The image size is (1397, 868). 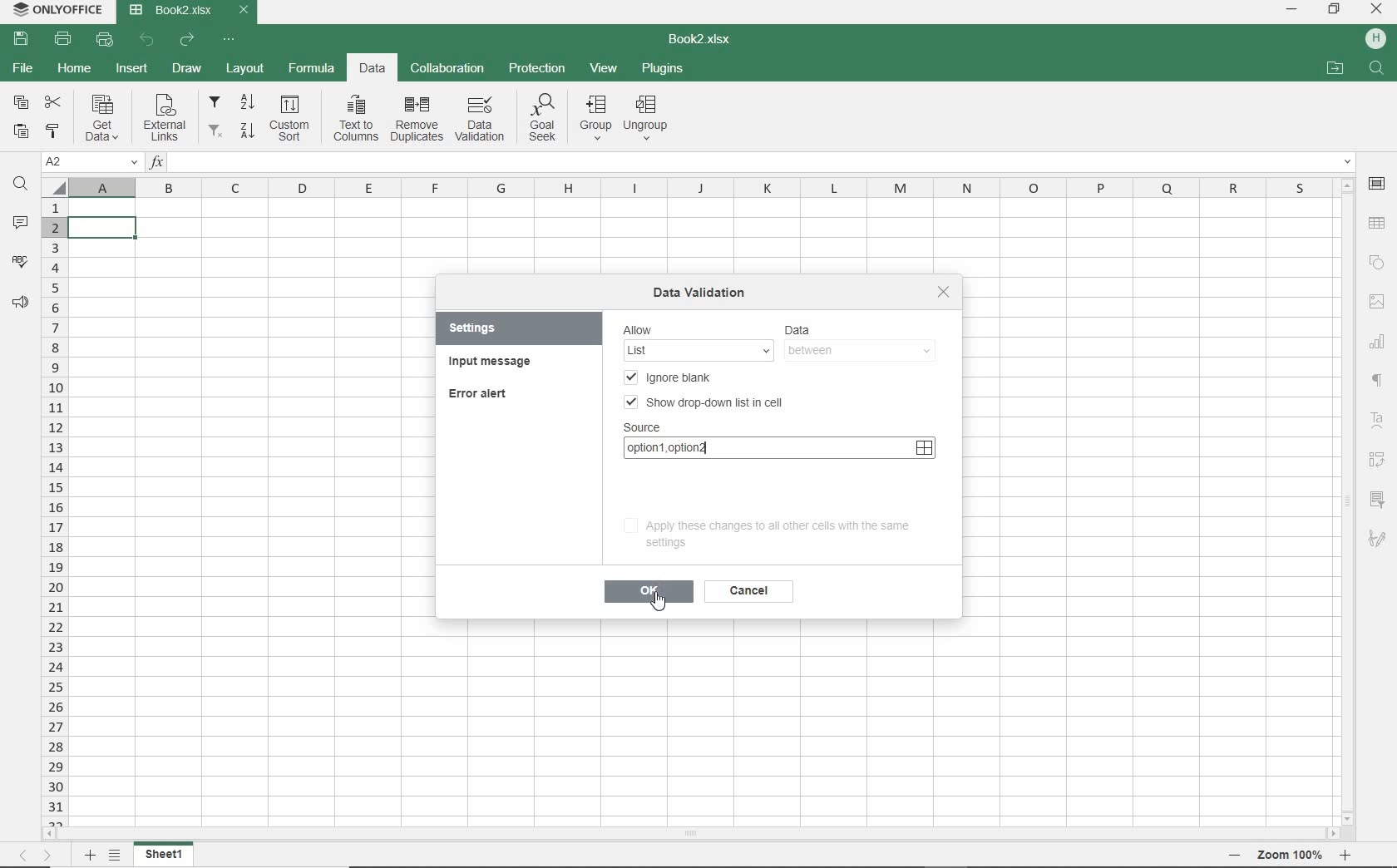 What do you see at coordinates (1377, 264) in the screenshot?
I see `SHAPE` at bounding box center [1377, 264].